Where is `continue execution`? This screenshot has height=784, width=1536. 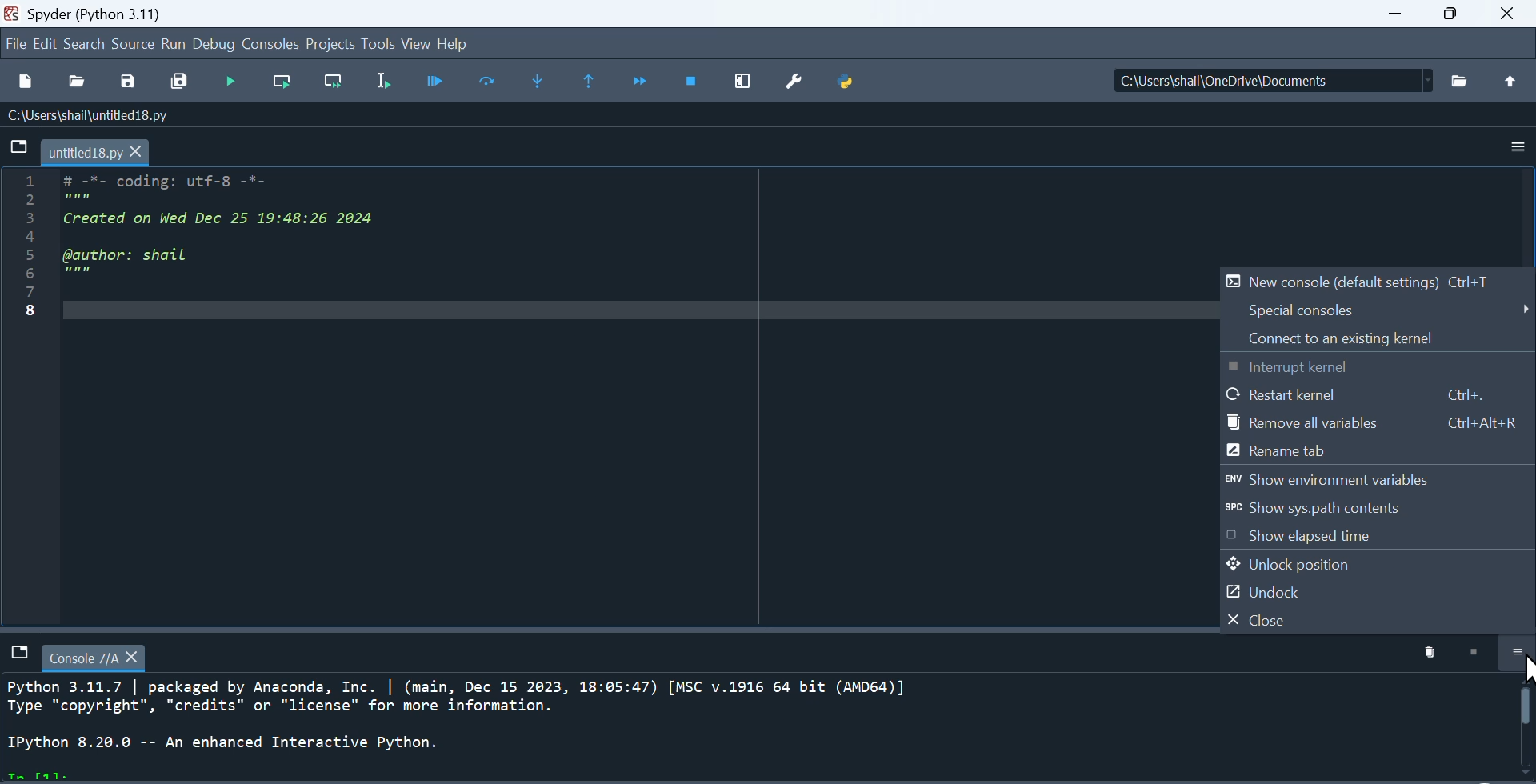 continue execution is located at coordinates (638, 82).